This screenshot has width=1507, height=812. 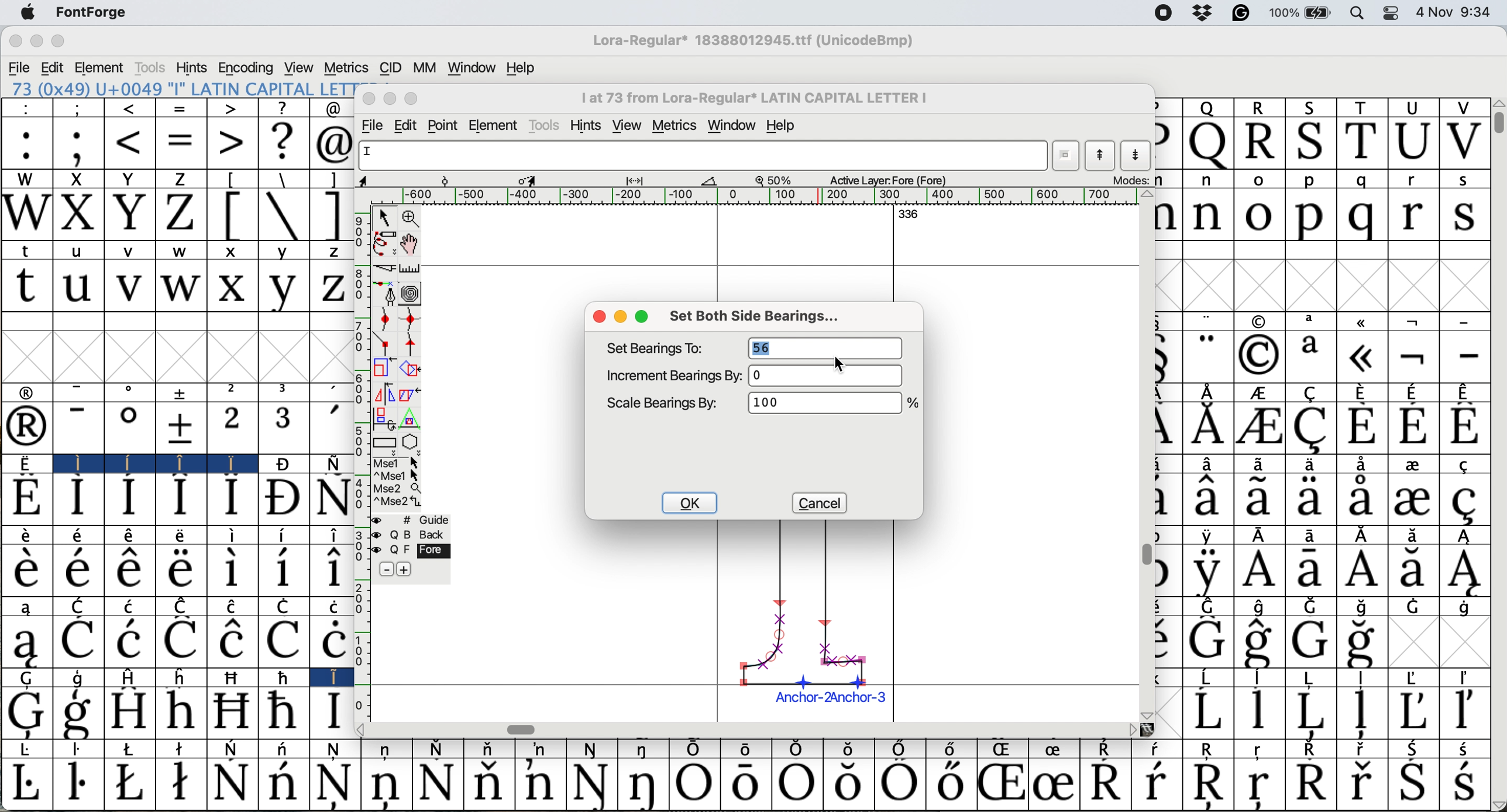 What do you see at coordinates (233, 749) in the screenshot?
I see `Symbol` at bounding box center [233, 749].